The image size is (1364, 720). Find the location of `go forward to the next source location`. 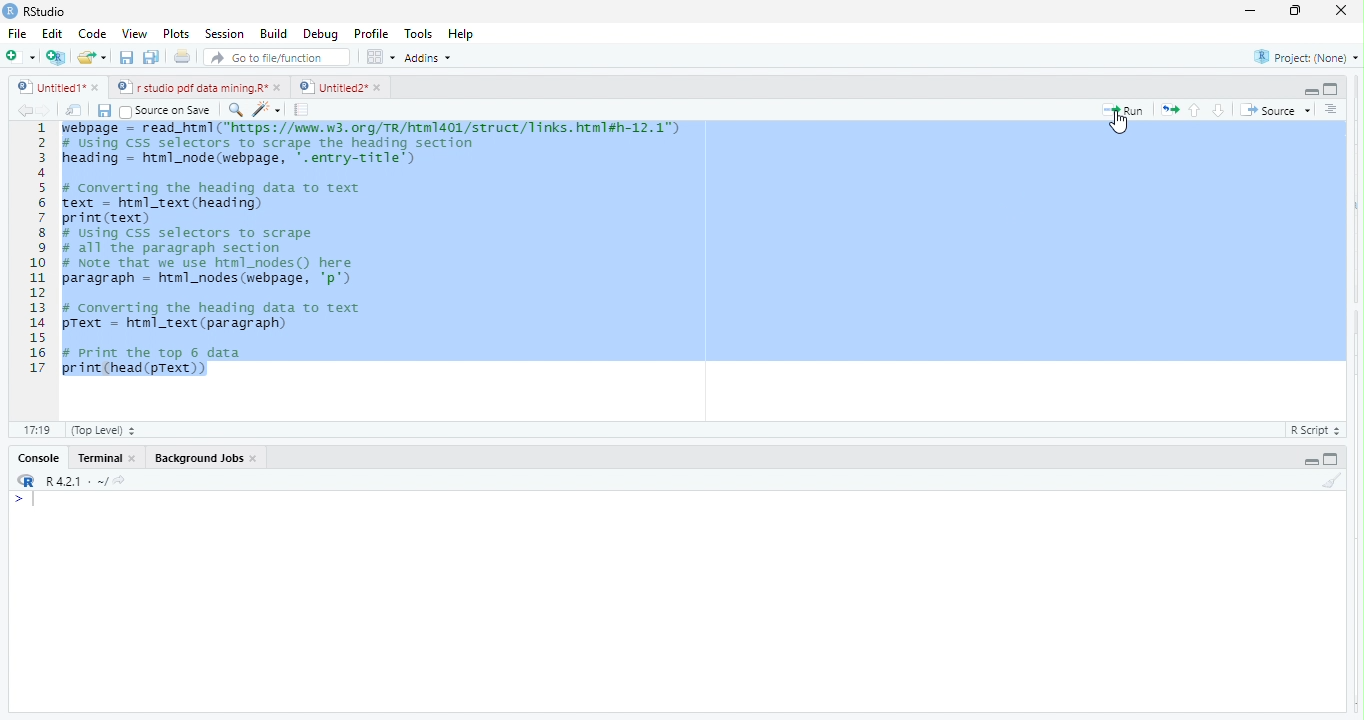

go forward to the next source location is located at coordinates (50, 110).